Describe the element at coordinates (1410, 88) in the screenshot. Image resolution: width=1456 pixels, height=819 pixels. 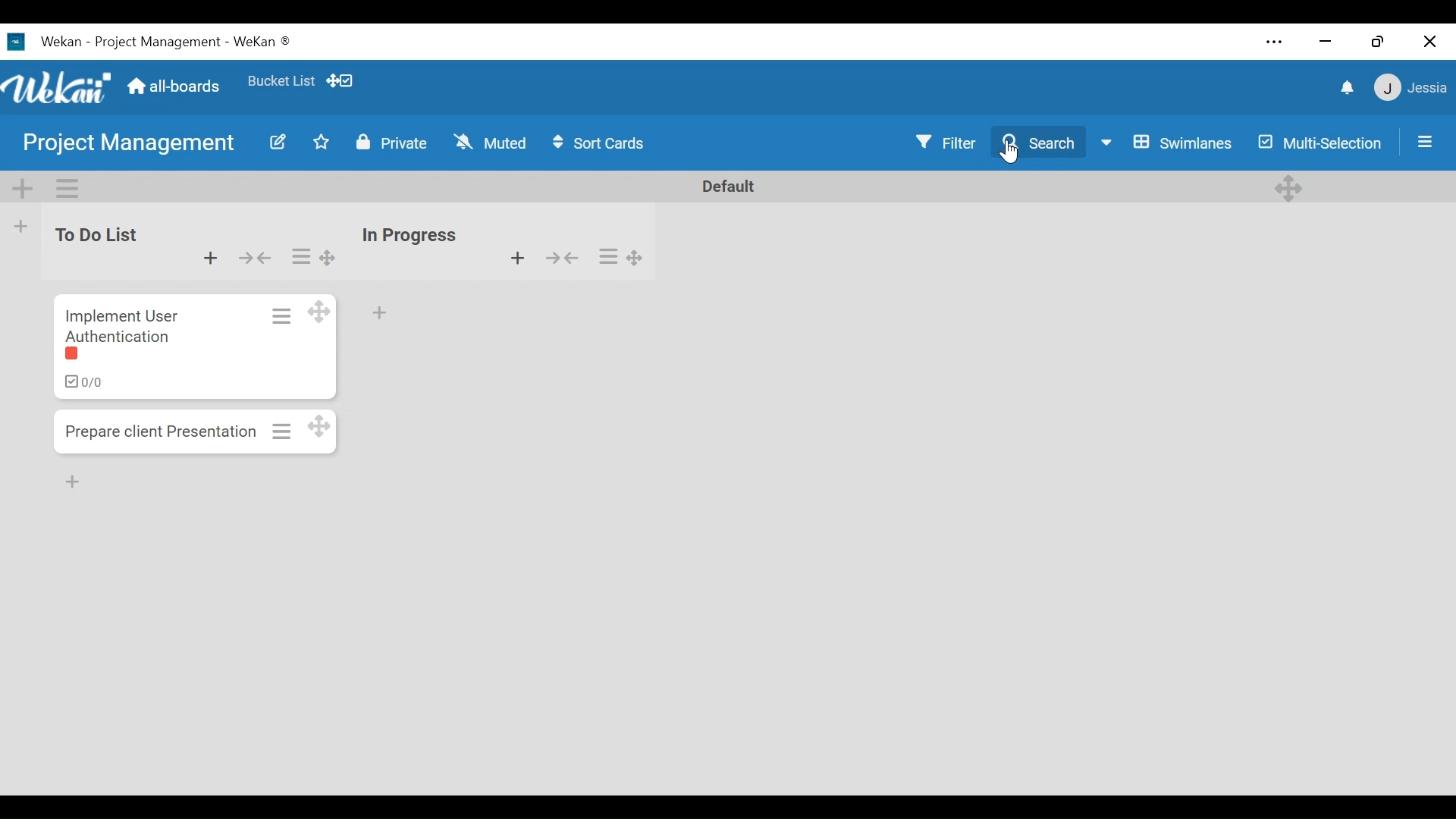
I see `member menu` at that location.